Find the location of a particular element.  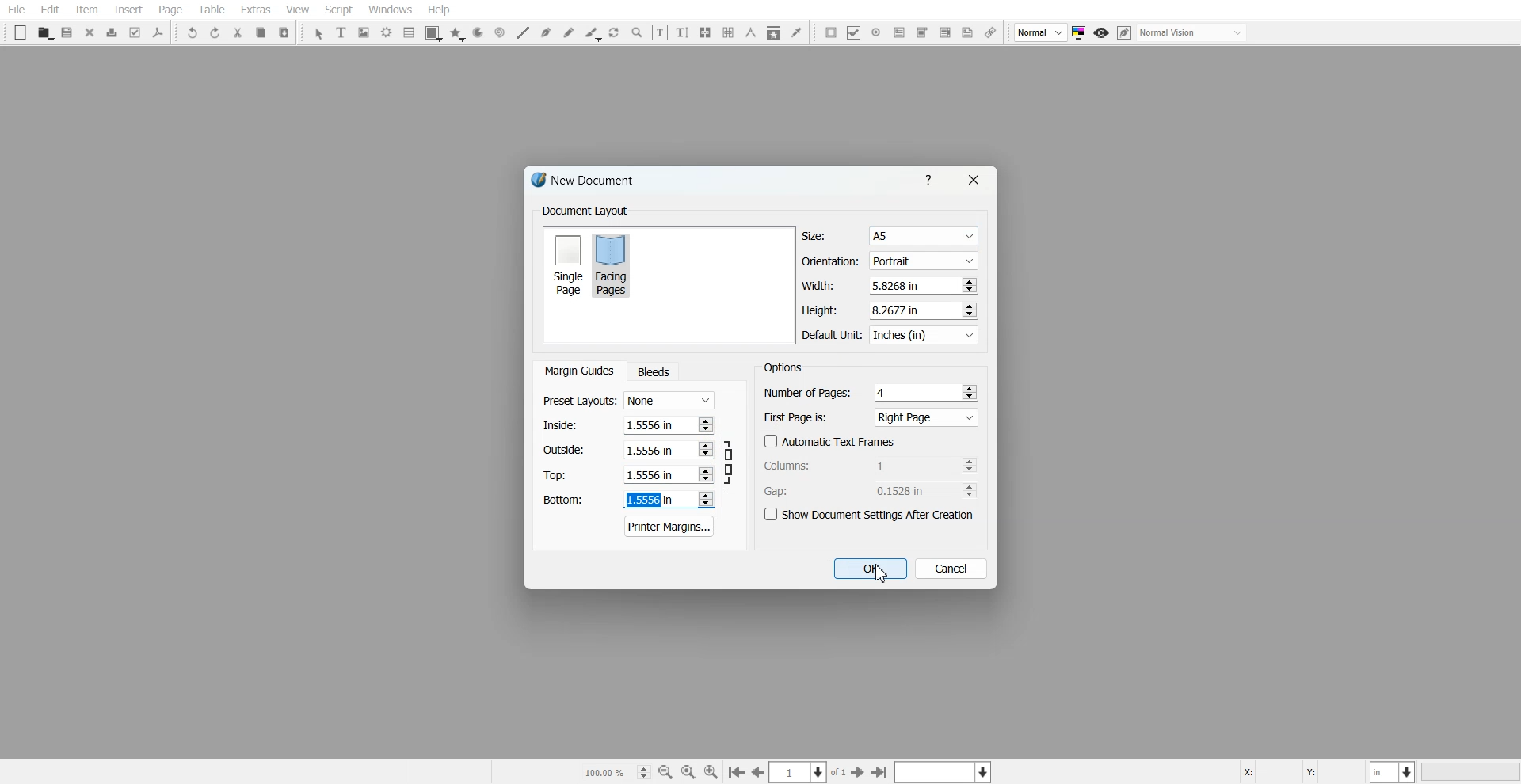

Item is located at coordinates (86, 10).